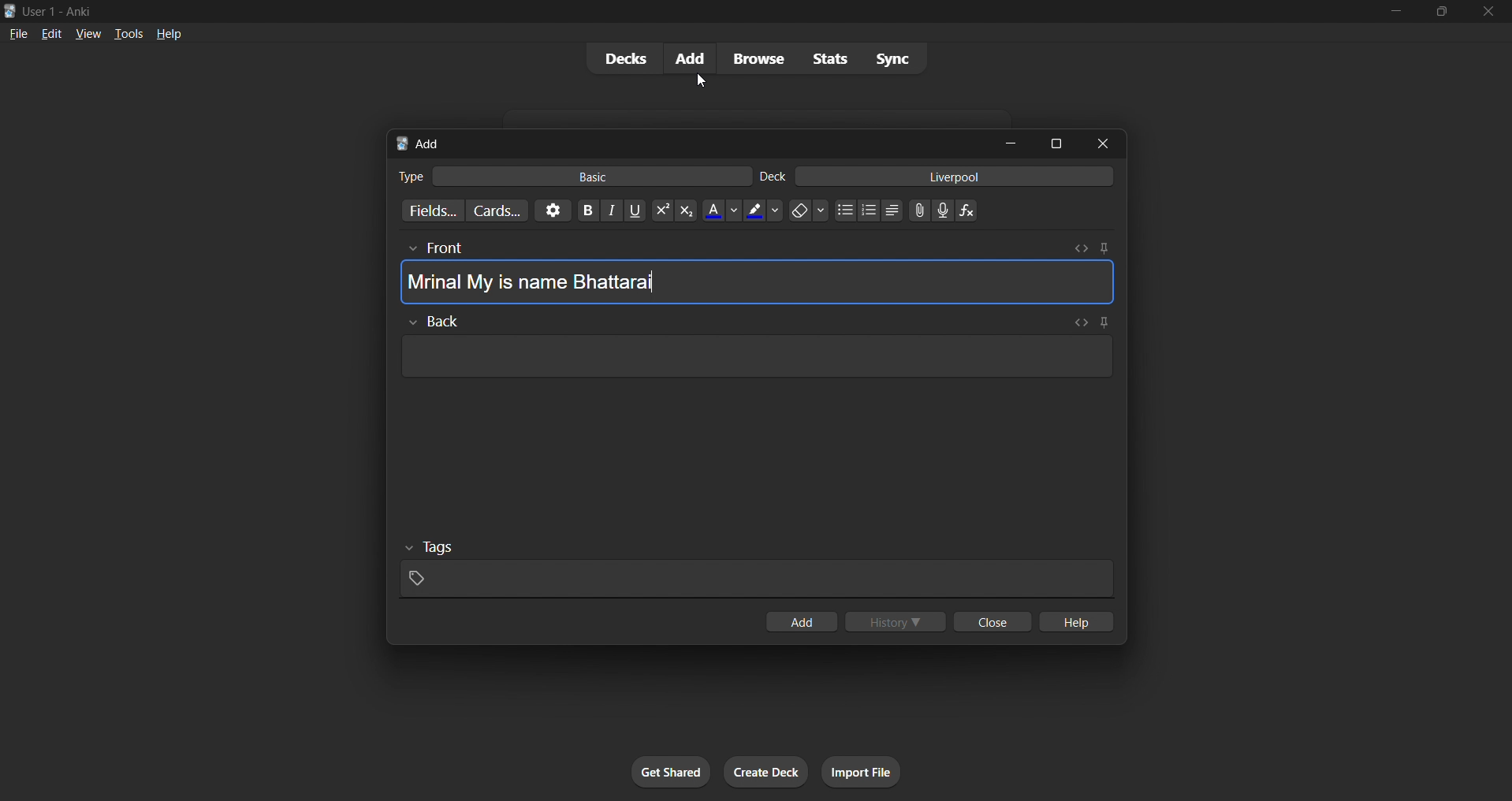  I want to click on import file, so click(859, 769).